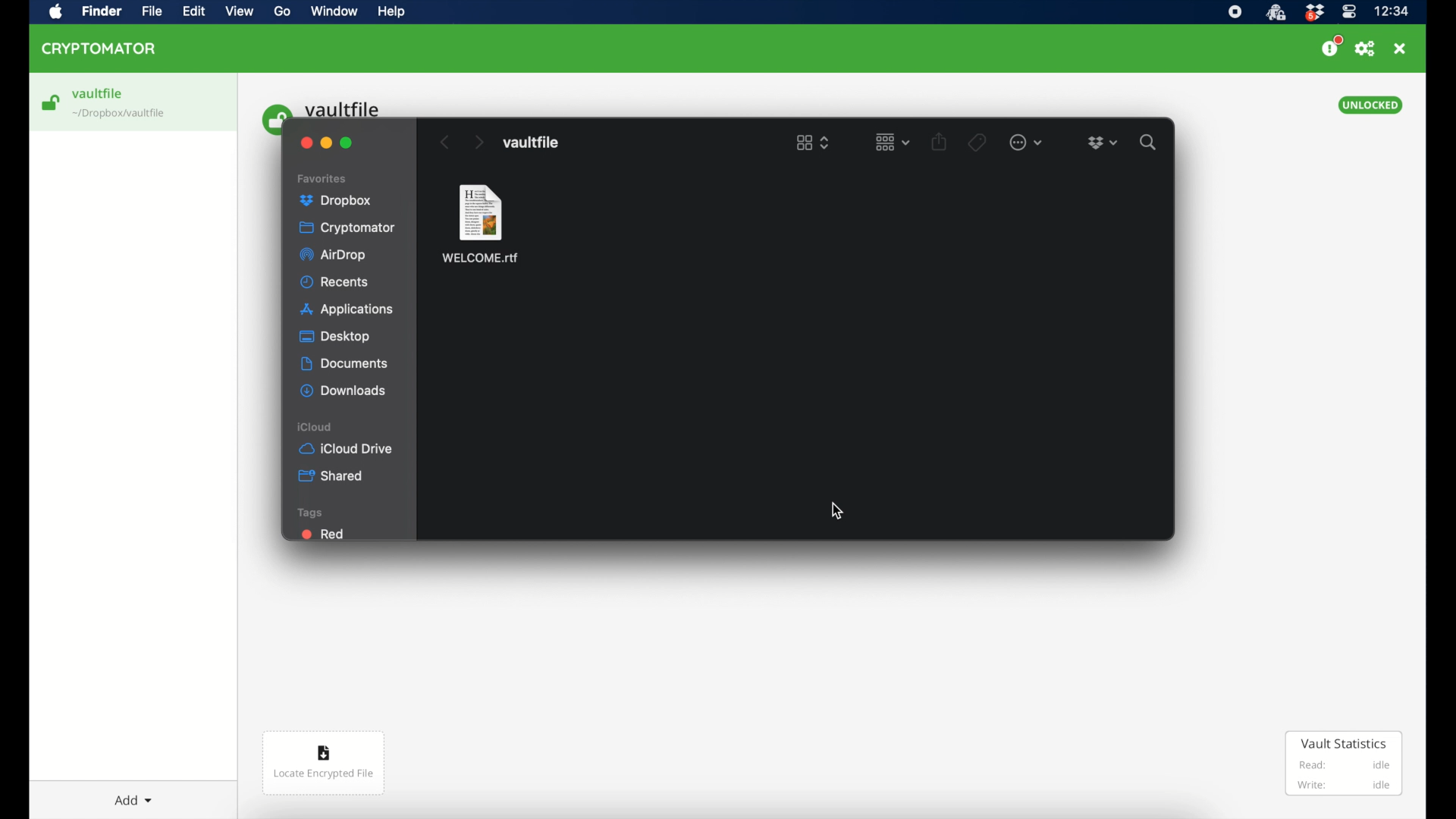 Image resolution: width=1456 pixels, height=819 pixels. What do you see at coordinates (1366, 49) in the screenshot?
I see `preferences` at bounding box center [1366, 49].